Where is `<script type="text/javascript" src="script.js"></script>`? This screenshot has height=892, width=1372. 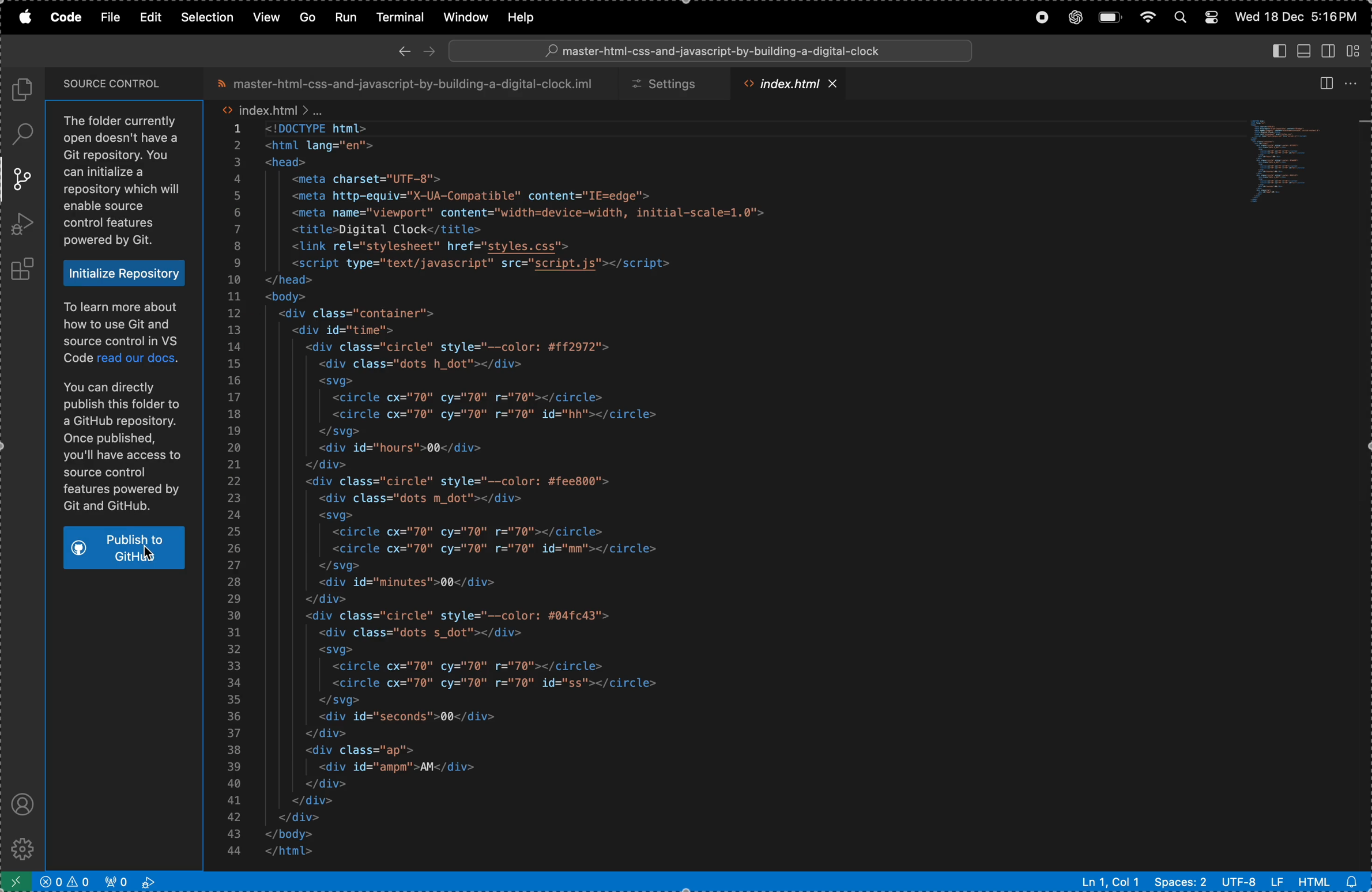
<script type="text/javascript" src="script.js"></script> is located at coordinates (500, 264).